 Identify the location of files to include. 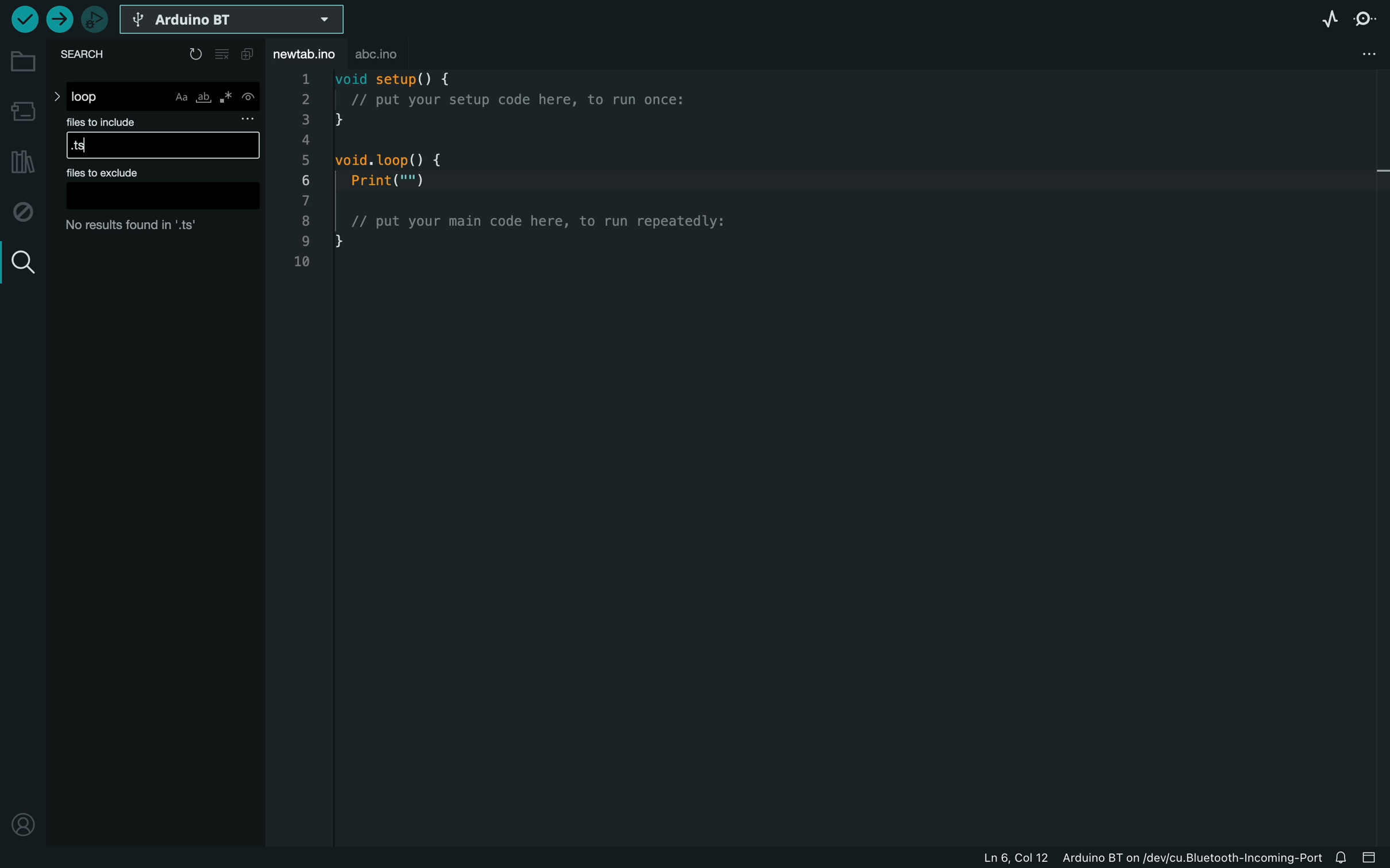
(165, 121).